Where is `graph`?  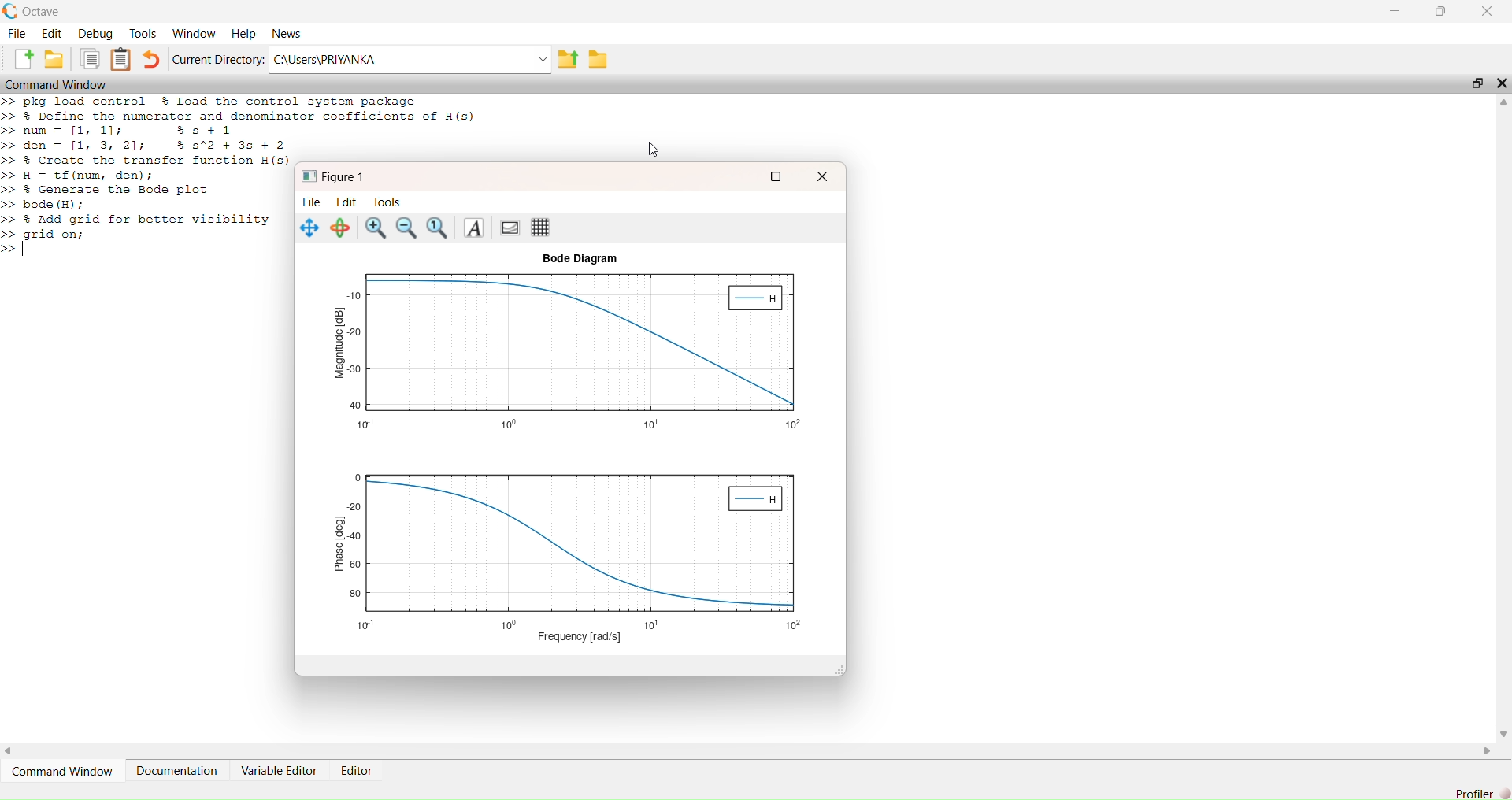 graph is located at coordinates (579, 351).